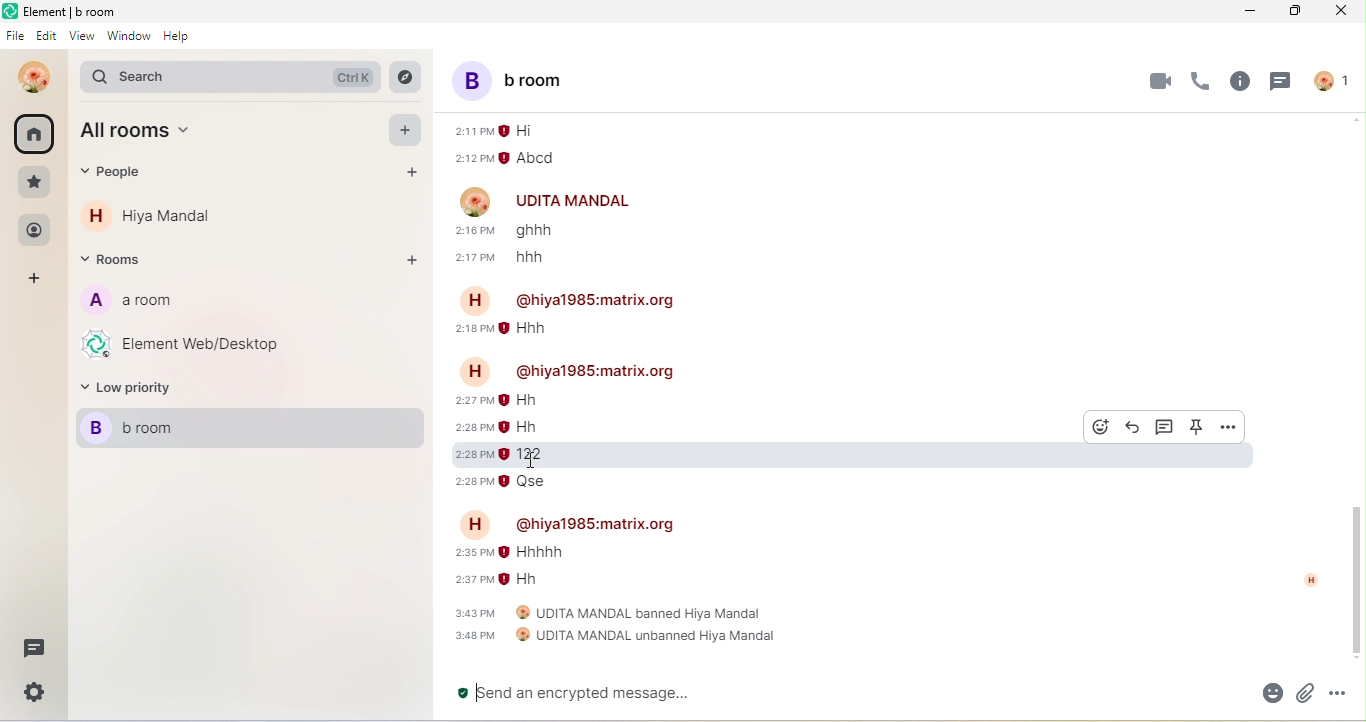 The image size is (1366, 722). Describe the element at coordinates (1335, 79) in the screenshot. I see `people` at that location.